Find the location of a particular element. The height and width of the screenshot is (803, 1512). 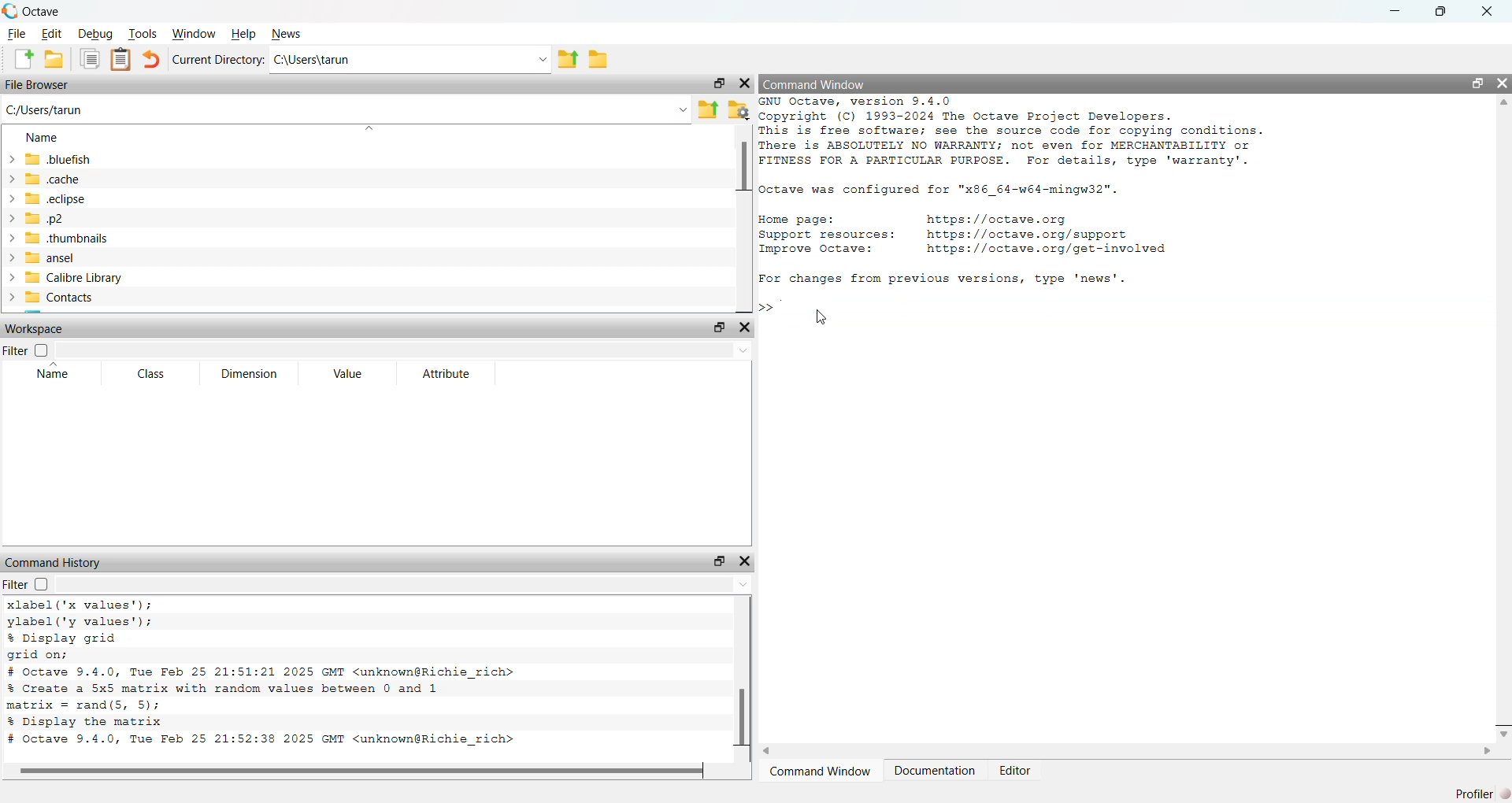

Filter | is located at coordinates (20, 352).